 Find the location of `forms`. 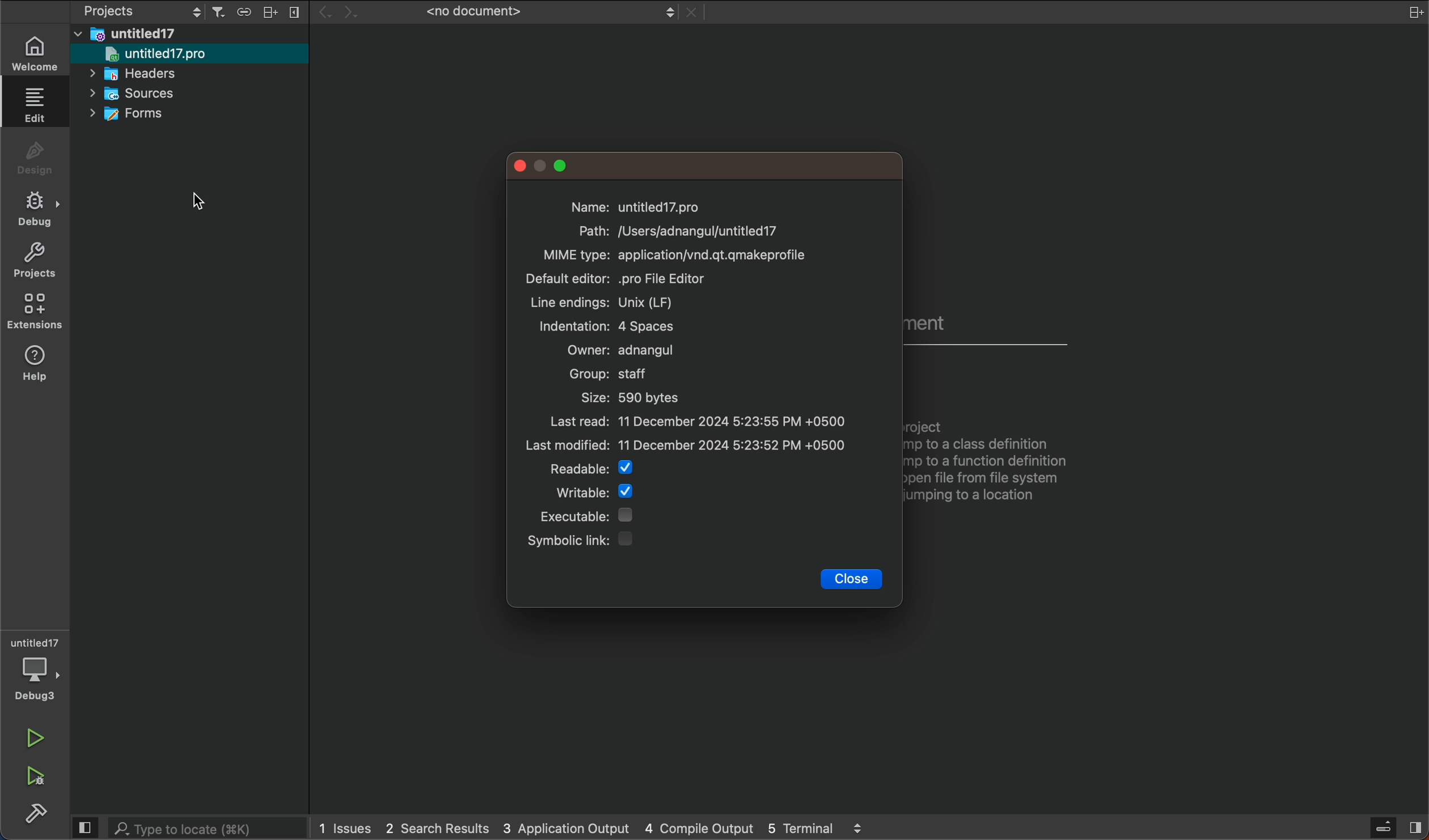

forms is located at coordinates (143, 115).